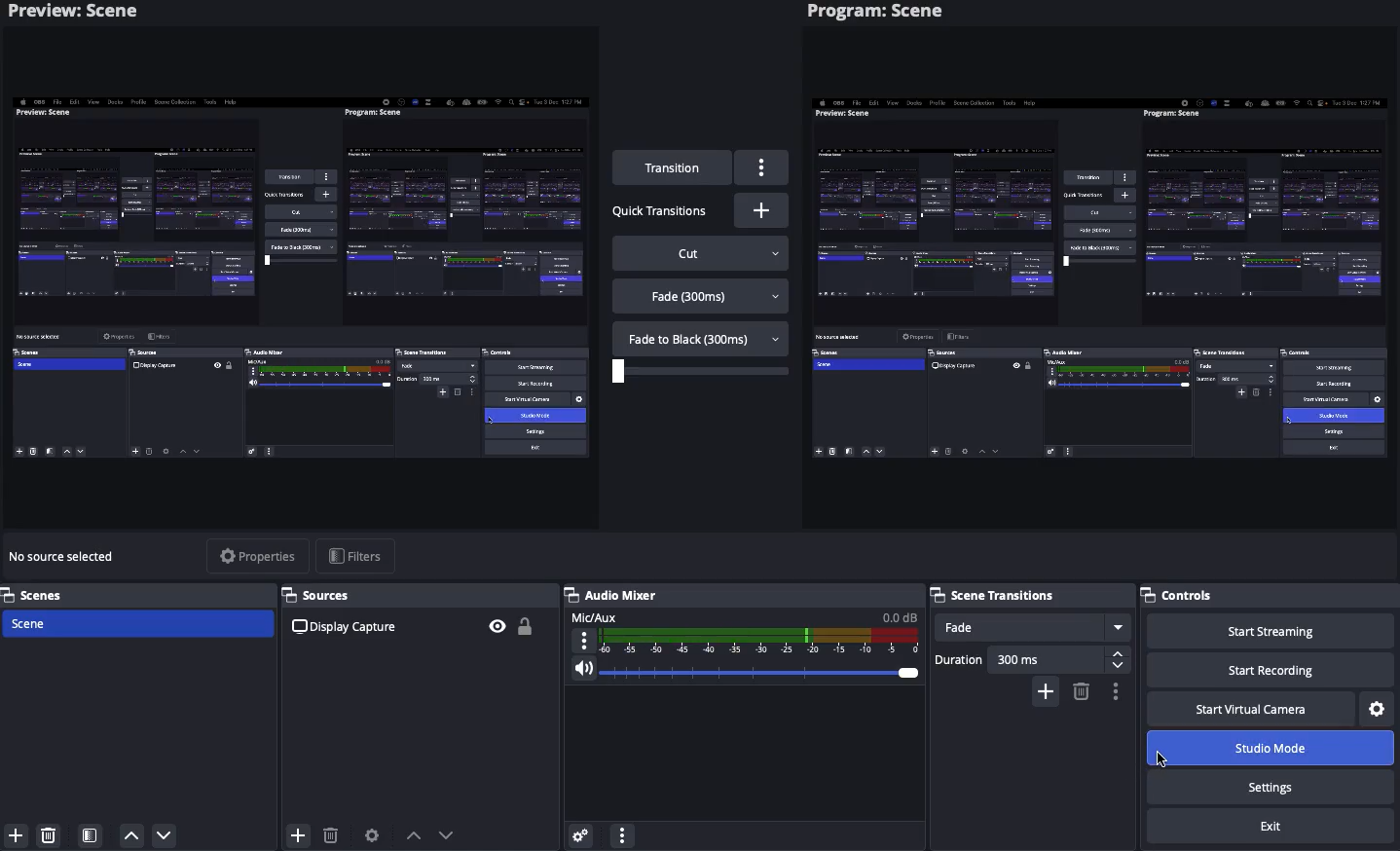 Image resolution: width=1400 pixels, height=851 pixels. Describe the element at coordinates (1031, 660) in the screenshot. I see `Duration` at that location.